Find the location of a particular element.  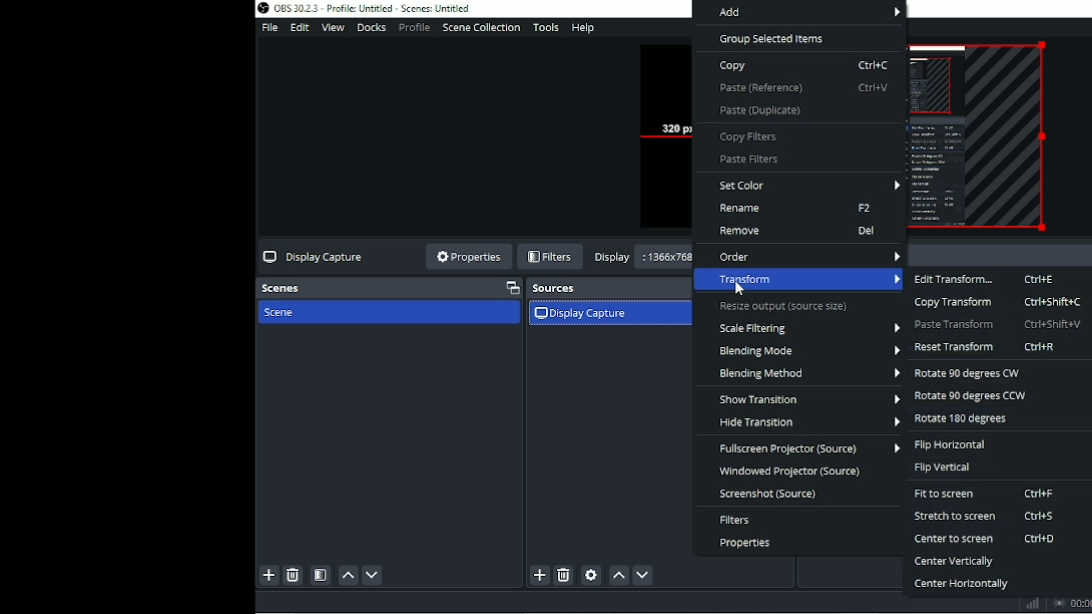

Scene is located at coordinates (291, 313).